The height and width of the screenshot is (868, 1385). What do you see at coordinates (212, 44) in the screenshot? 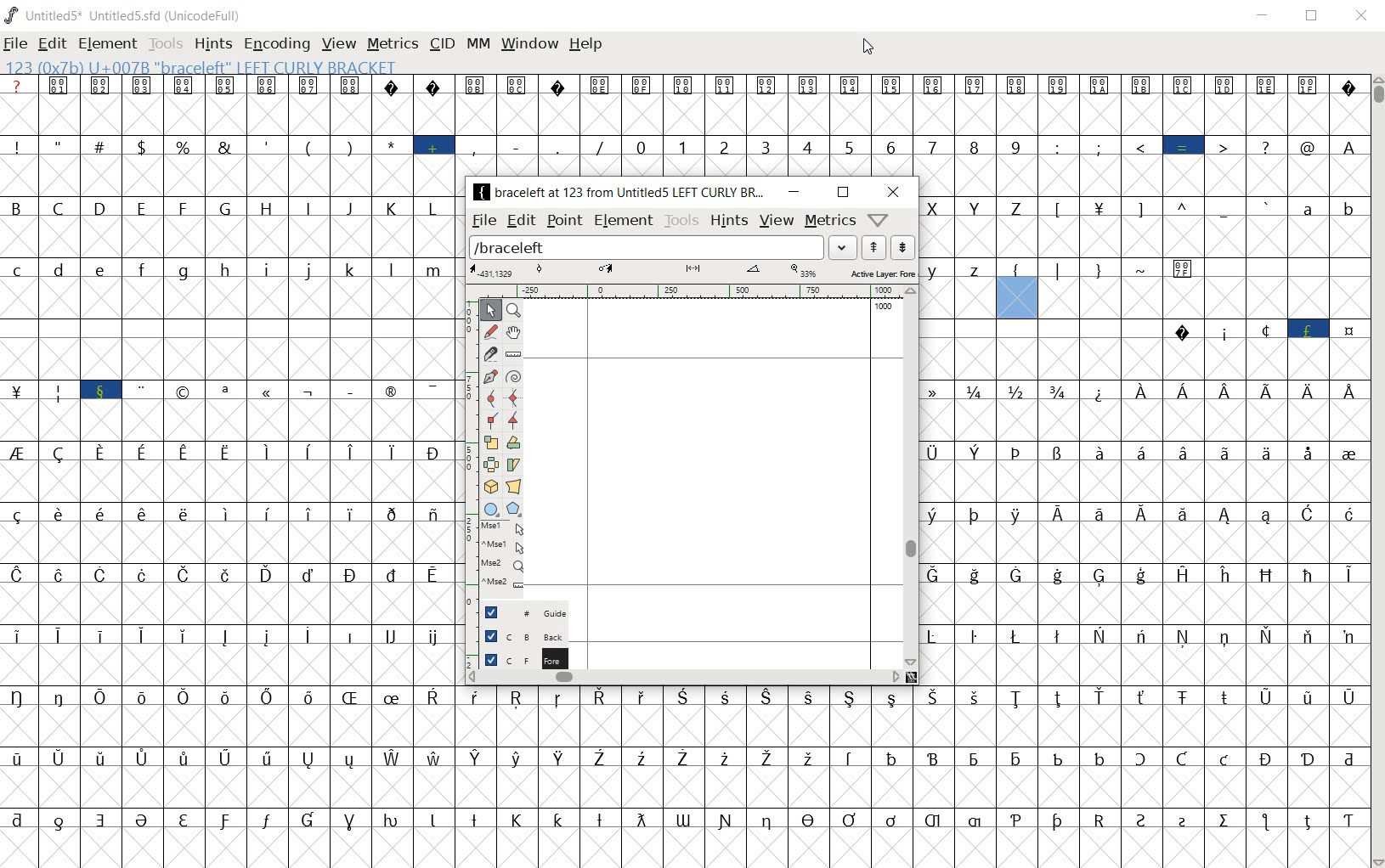
I see `hints` at bounding box center [212, 44].